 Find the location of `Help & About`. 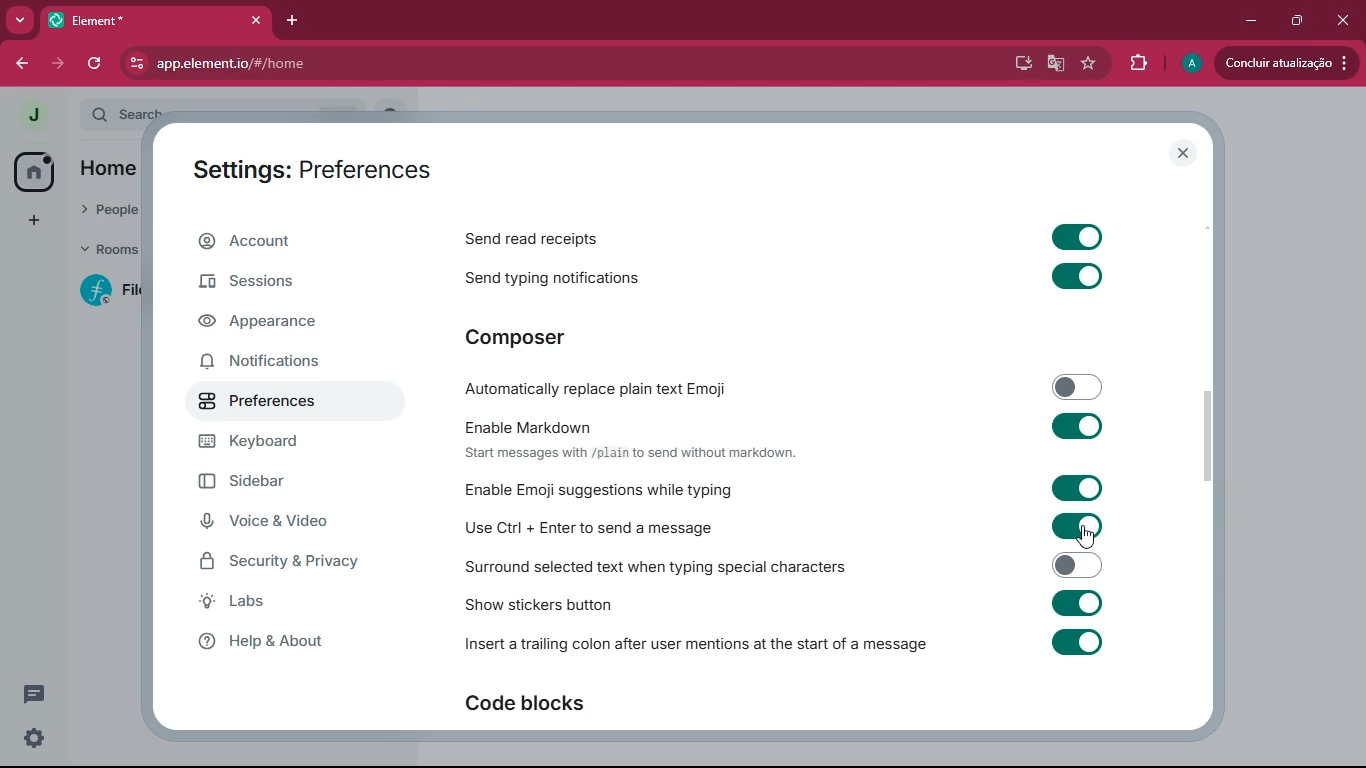

Help & About is located at coordinates (258, 641).